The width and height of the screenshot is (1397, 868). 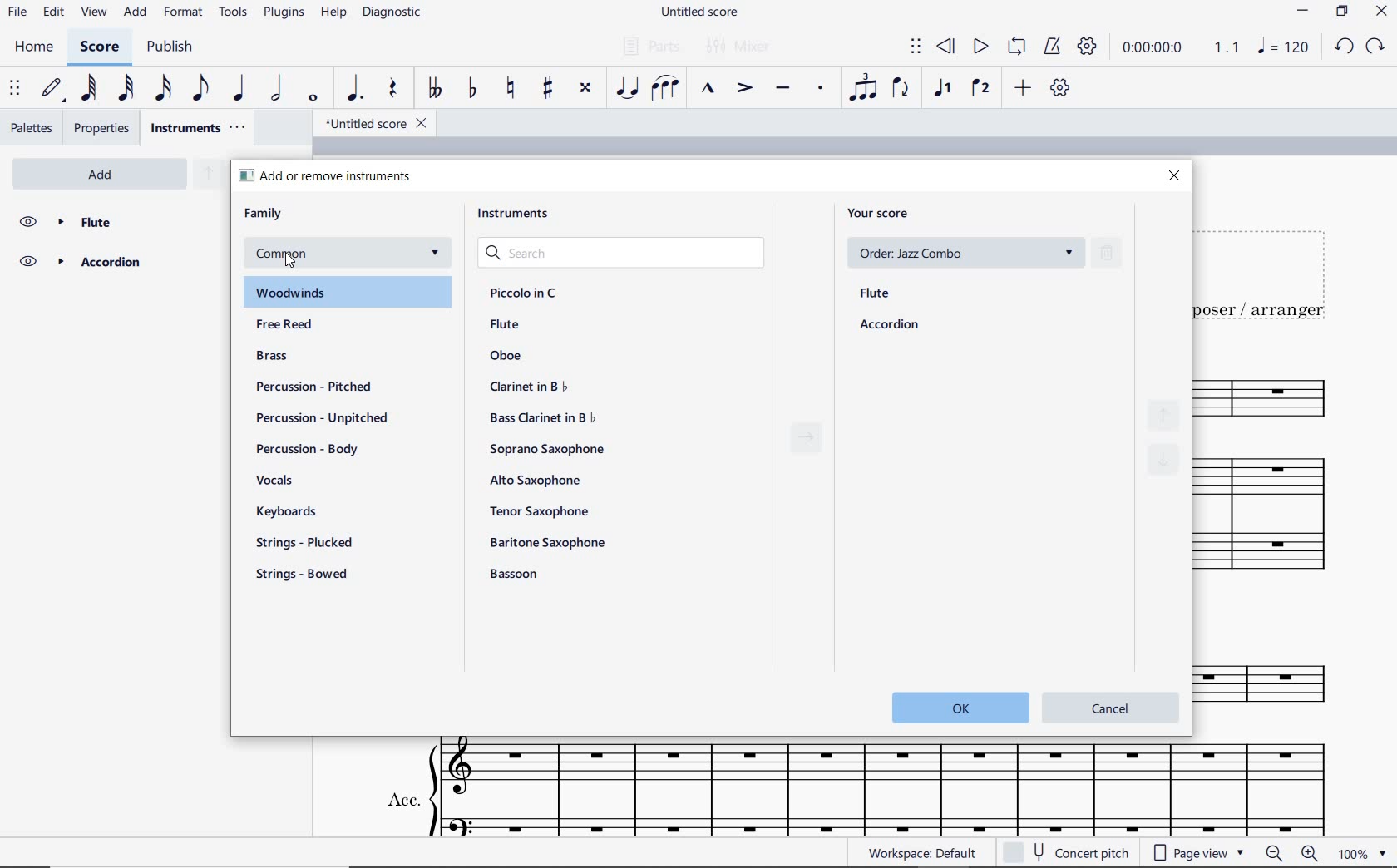 What do you see at coordinates (509, 89) in the screenshot?
I see `toggle natural` at bounding box center [509, 89].